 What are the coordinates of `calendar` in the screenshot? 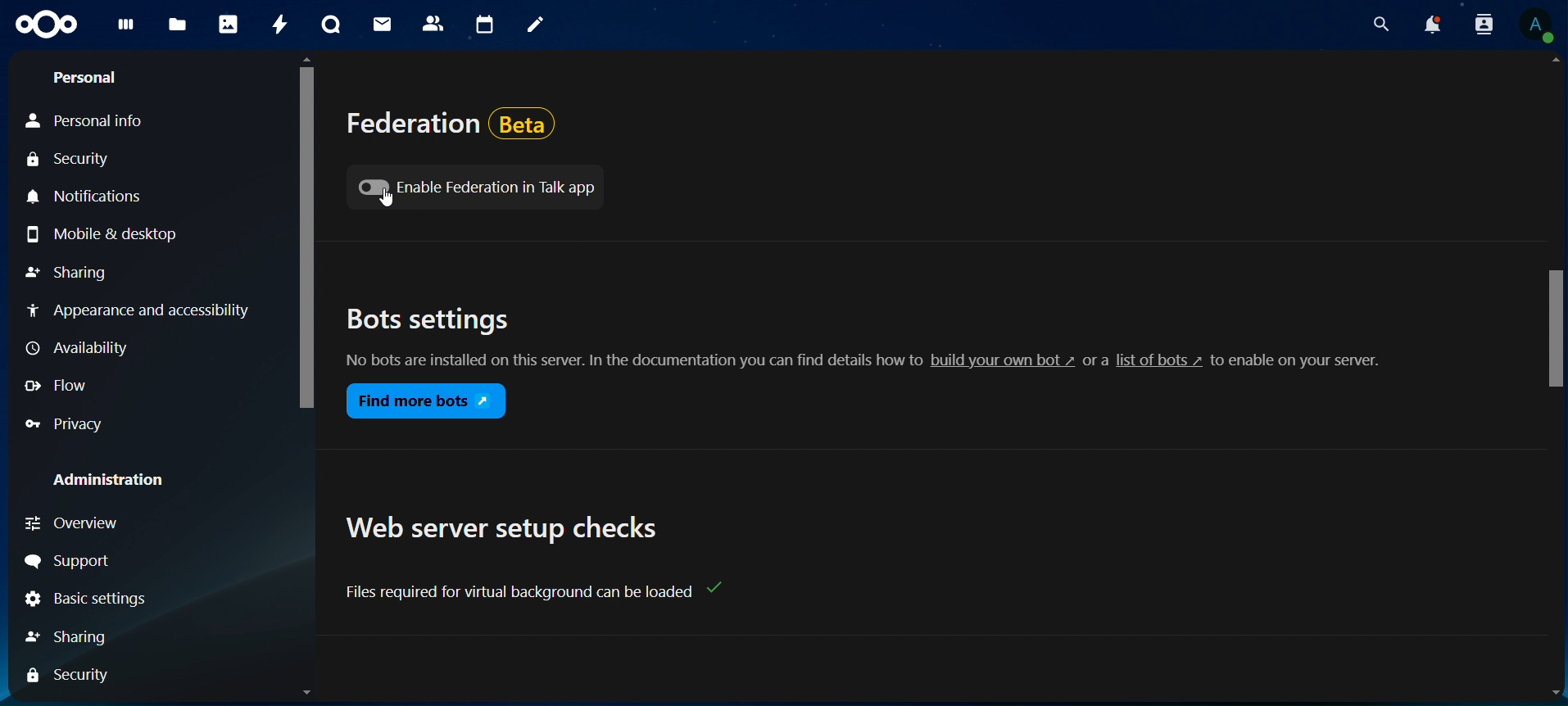 It's located at (484, 26).